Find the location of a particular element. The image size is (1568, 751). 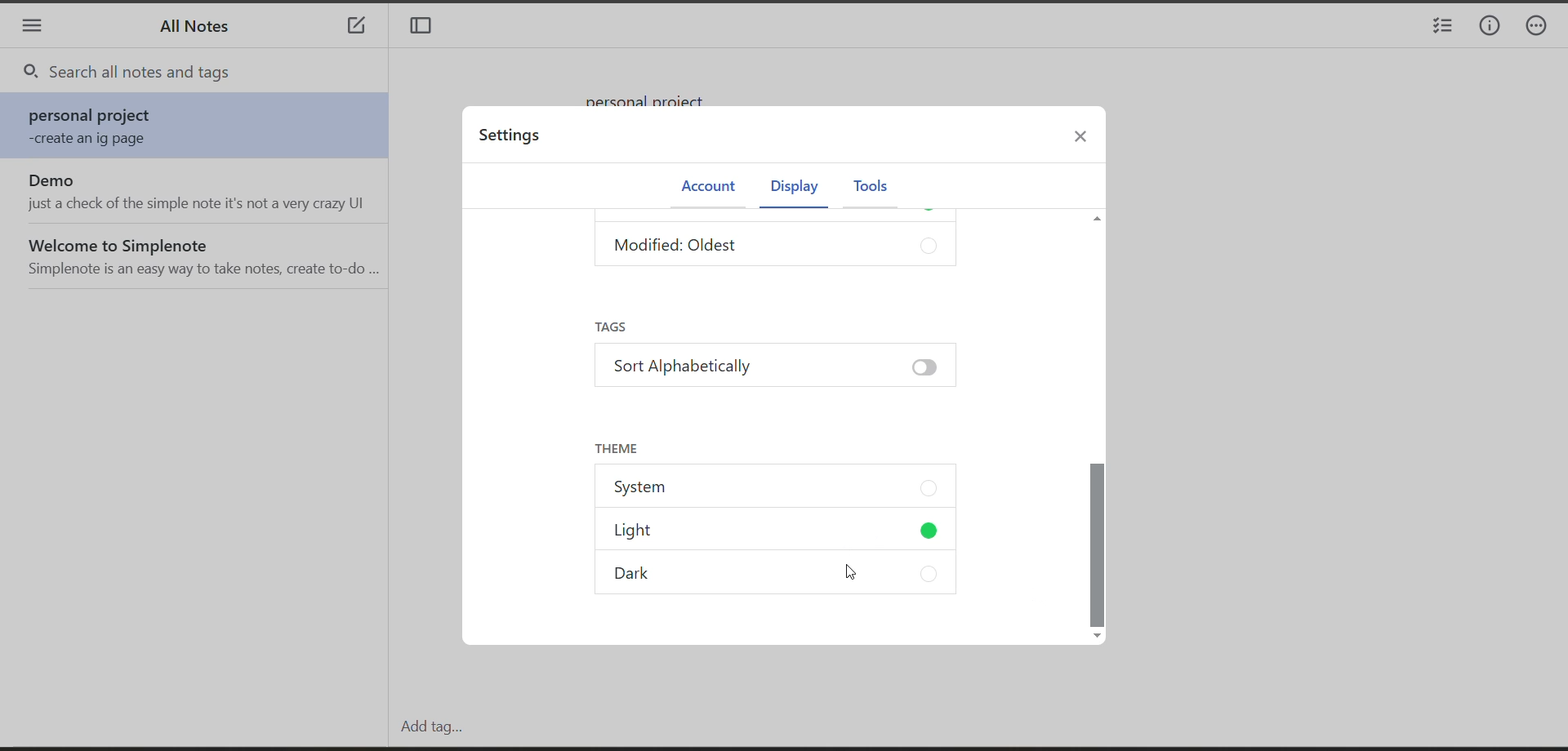

note 1 is located at coordinates (200, 127).